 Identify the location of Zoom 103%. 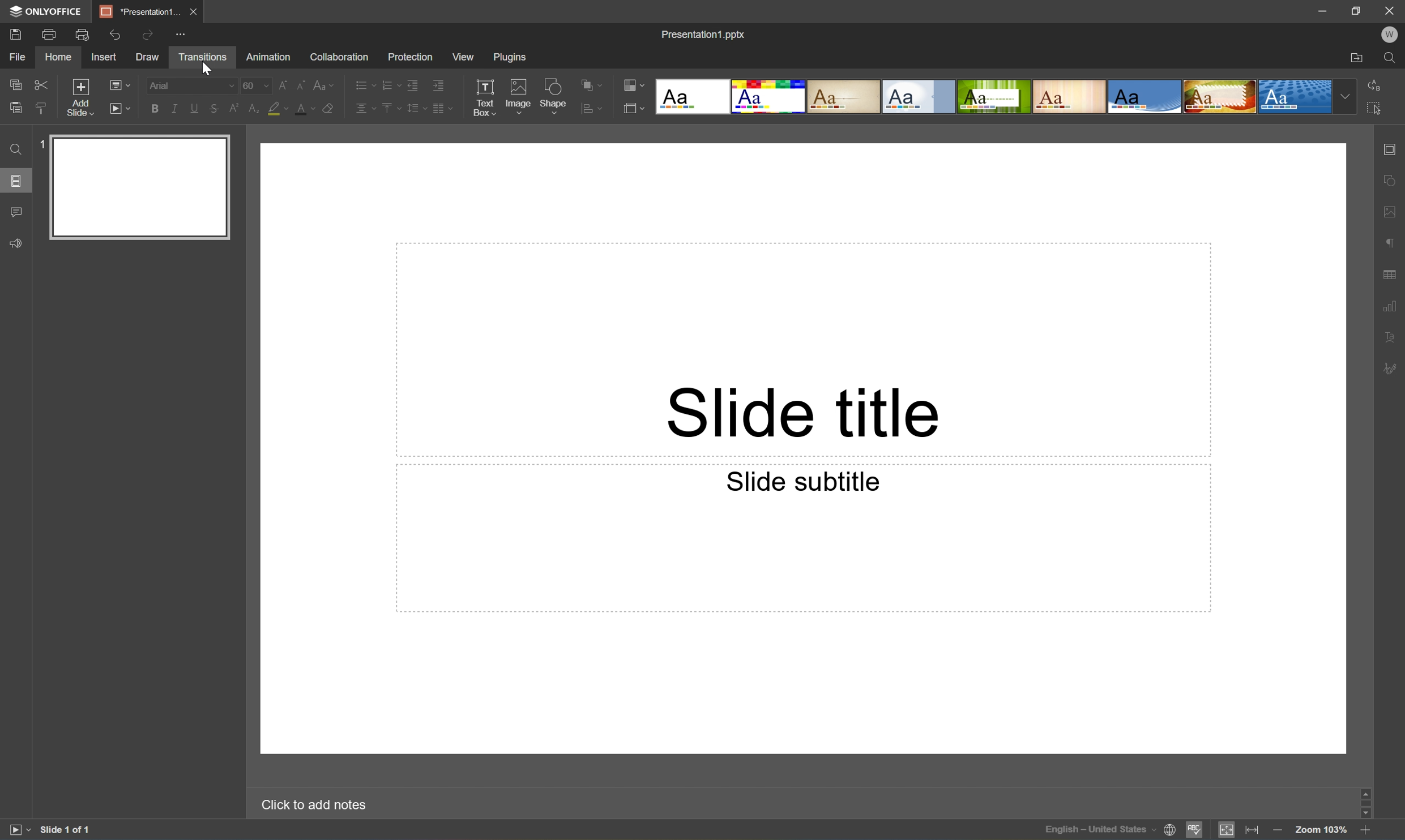
(1318, 831).